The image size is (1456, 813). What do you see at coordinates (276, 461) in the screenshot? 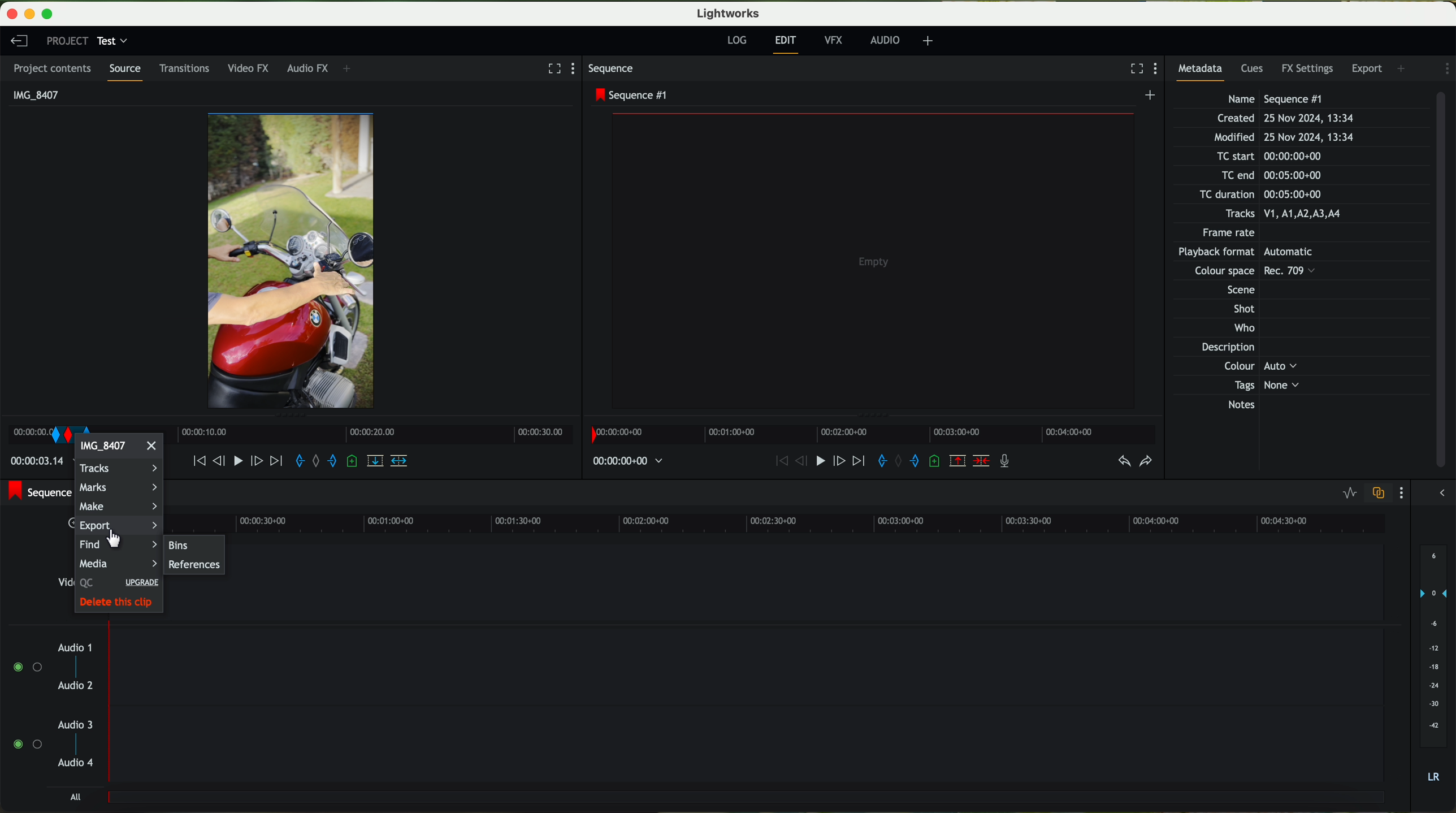
I see `move foward` at bounding box center [276, 461].